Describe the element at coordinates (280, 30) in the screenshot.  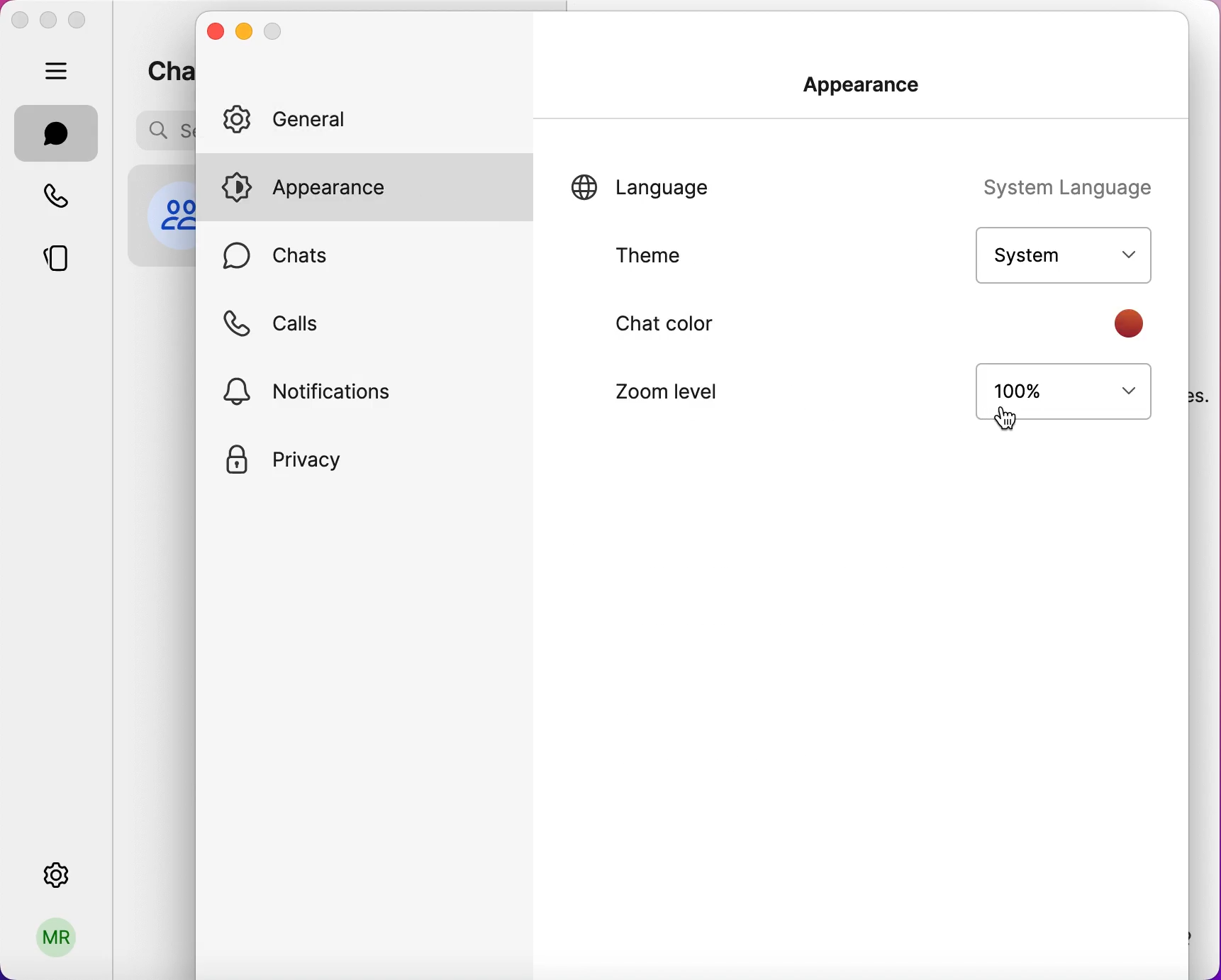
I see `maximize` at that location.